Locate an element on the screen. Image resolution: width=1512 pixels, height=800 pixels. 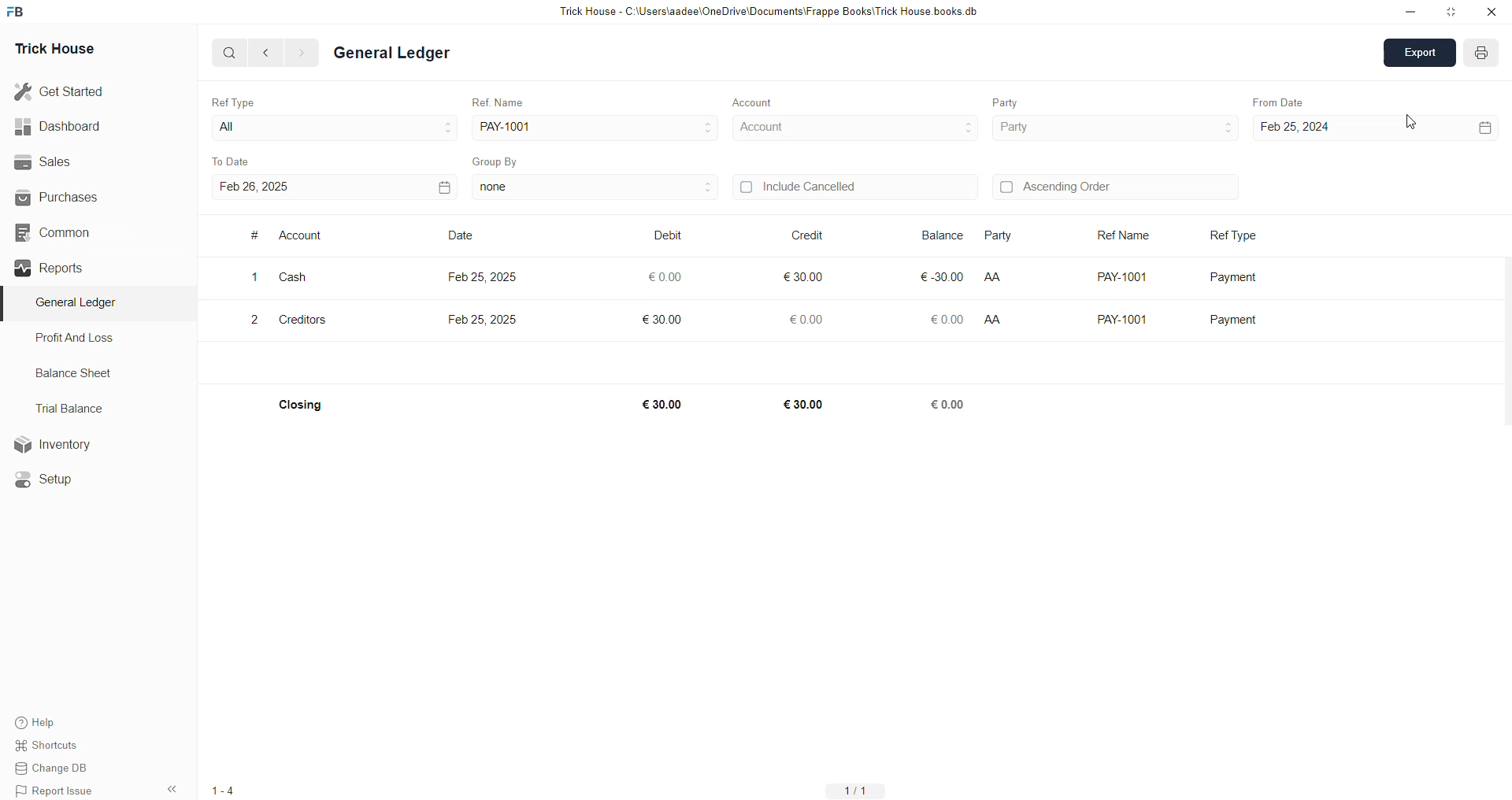
Feb 25, 2024 is located at coordinates (1374, 126).